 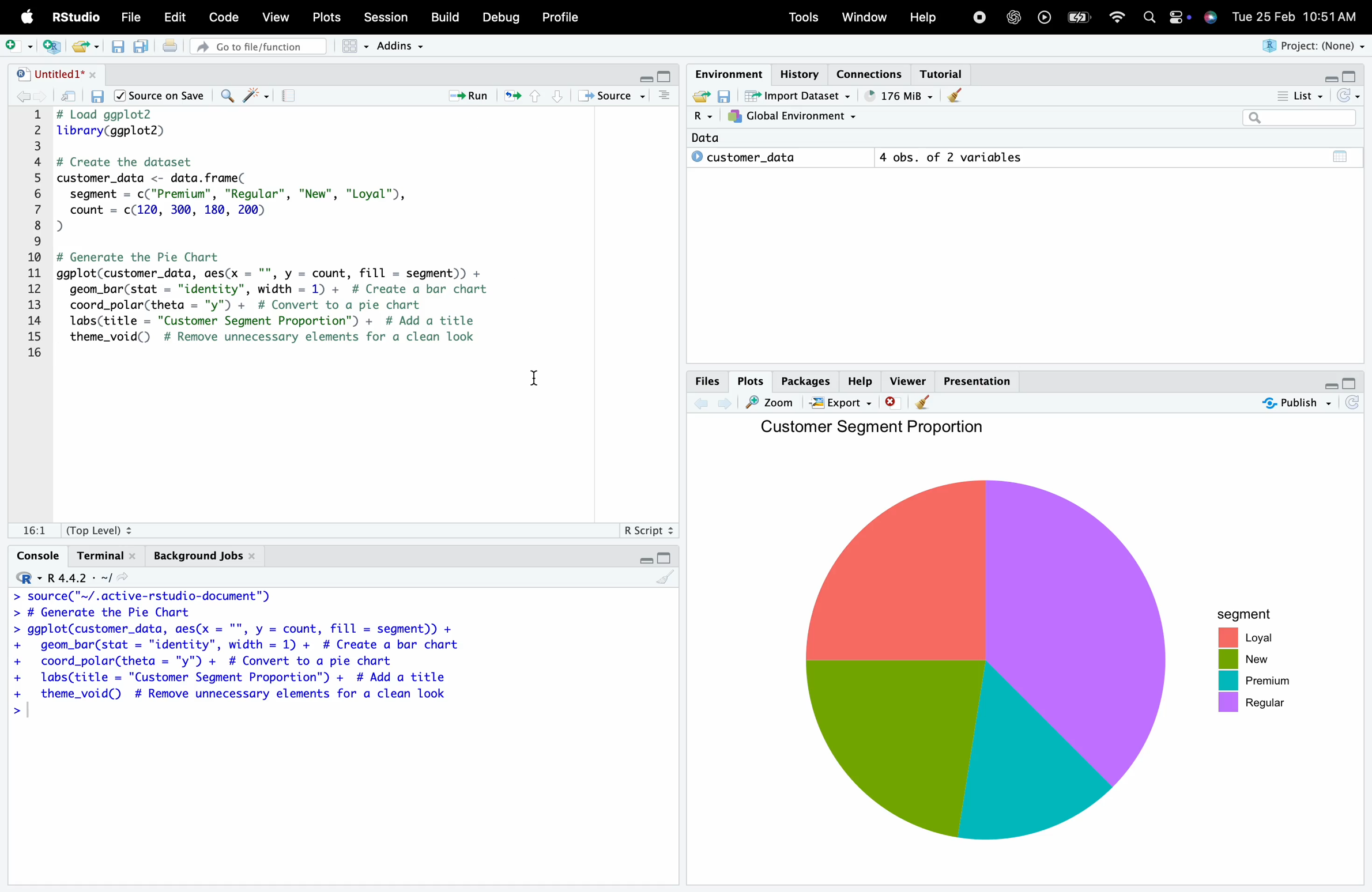 What do you see at coordinates (28, 98) in the screenshot?
I see `back` at bounding box center [28, 98].